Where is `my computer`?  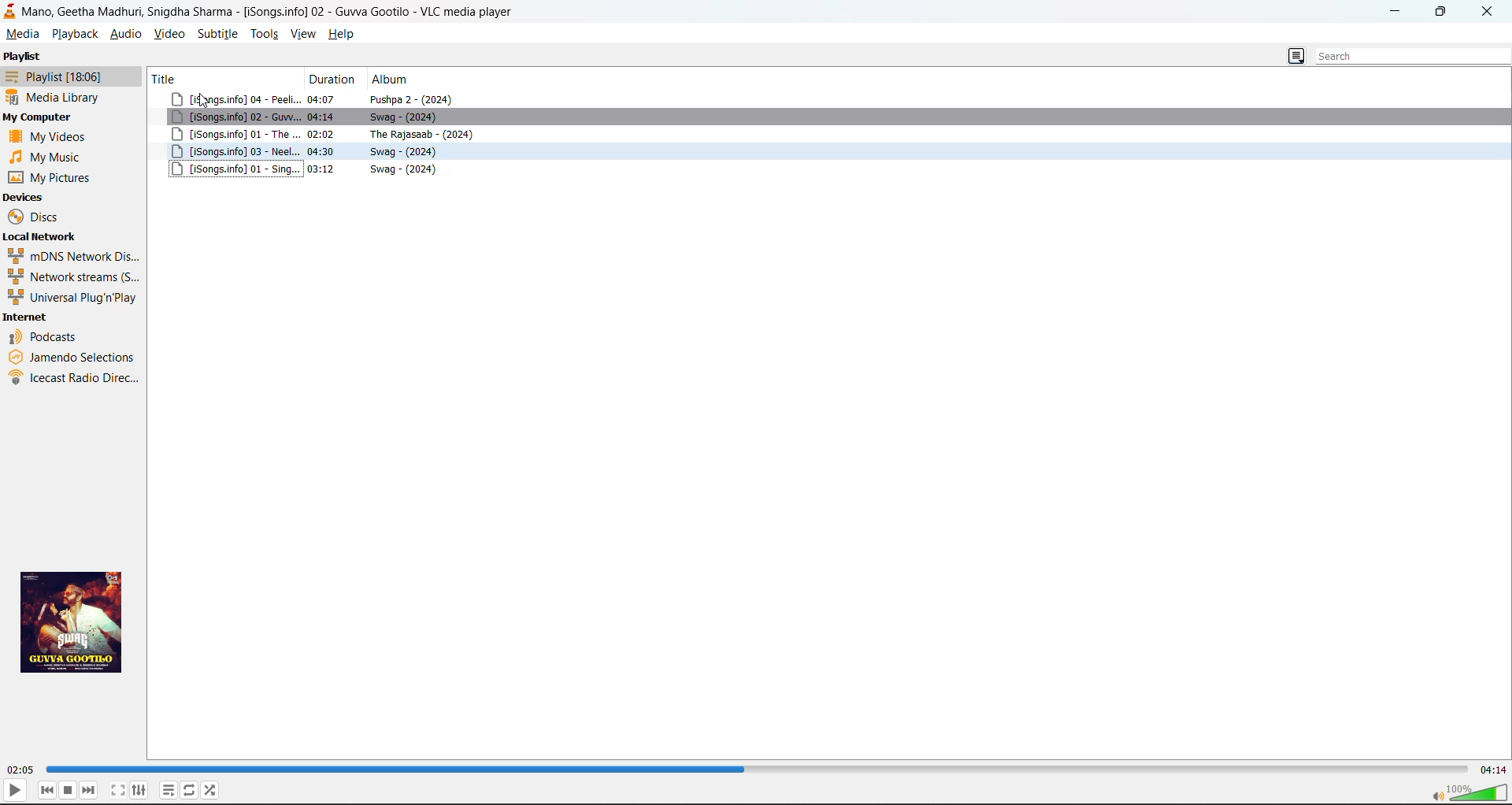 my computer is located at coordinates (39, 117).